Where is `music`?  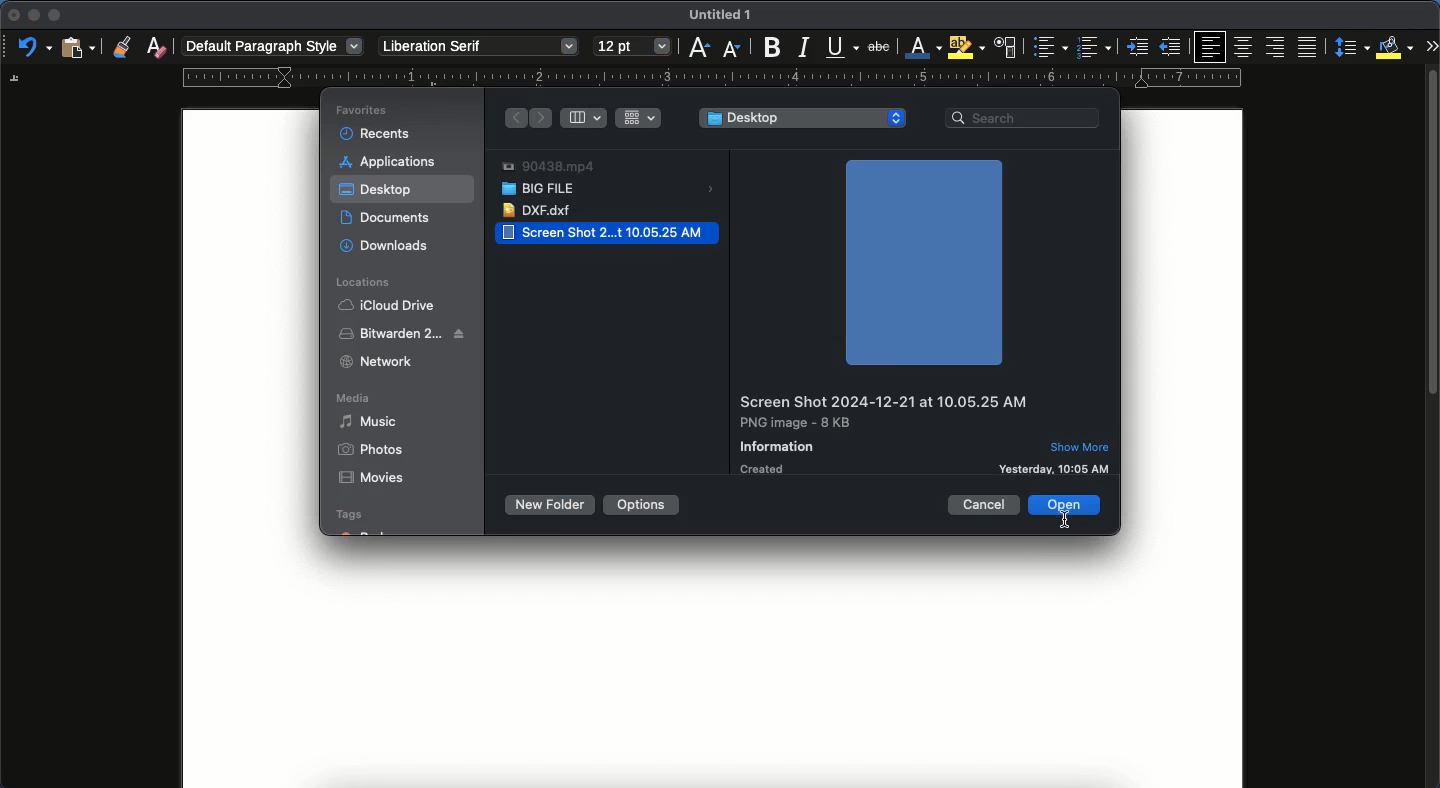
music is located at coordinates (371, 421).